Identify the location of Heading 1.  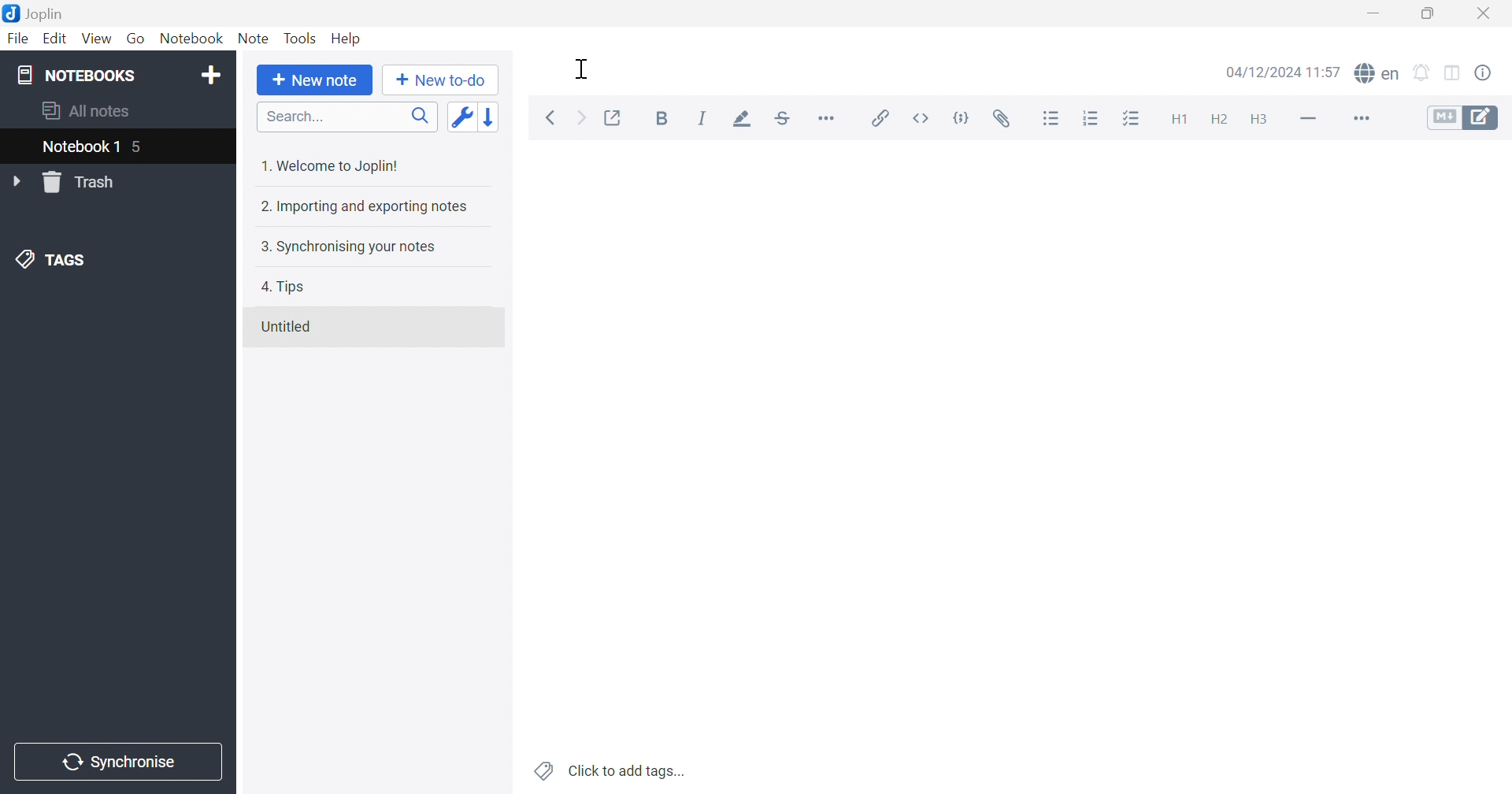
(1182, 119).